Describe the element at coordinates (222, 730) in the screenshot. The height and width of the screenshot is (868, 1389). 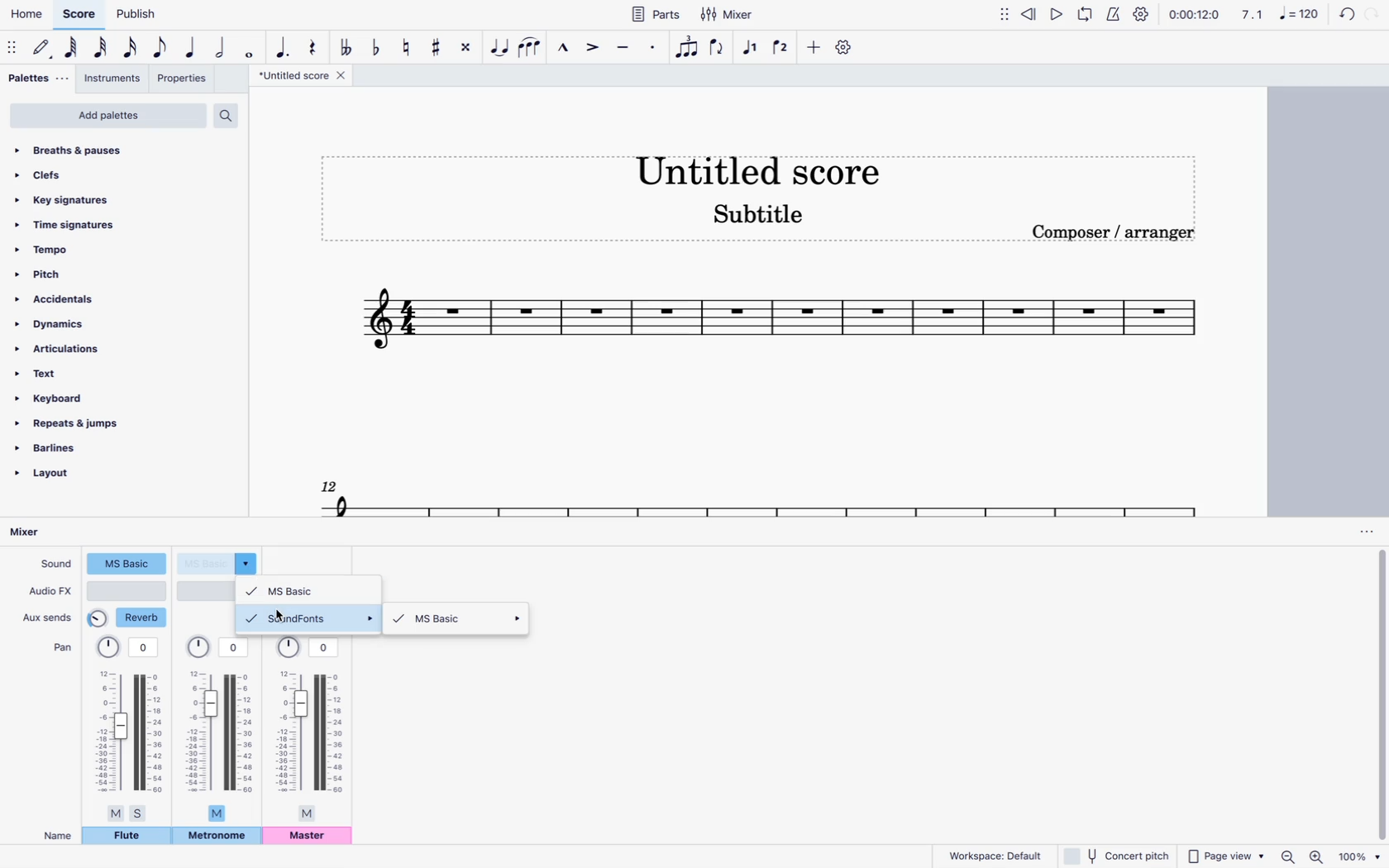
I see `pan` at that location.